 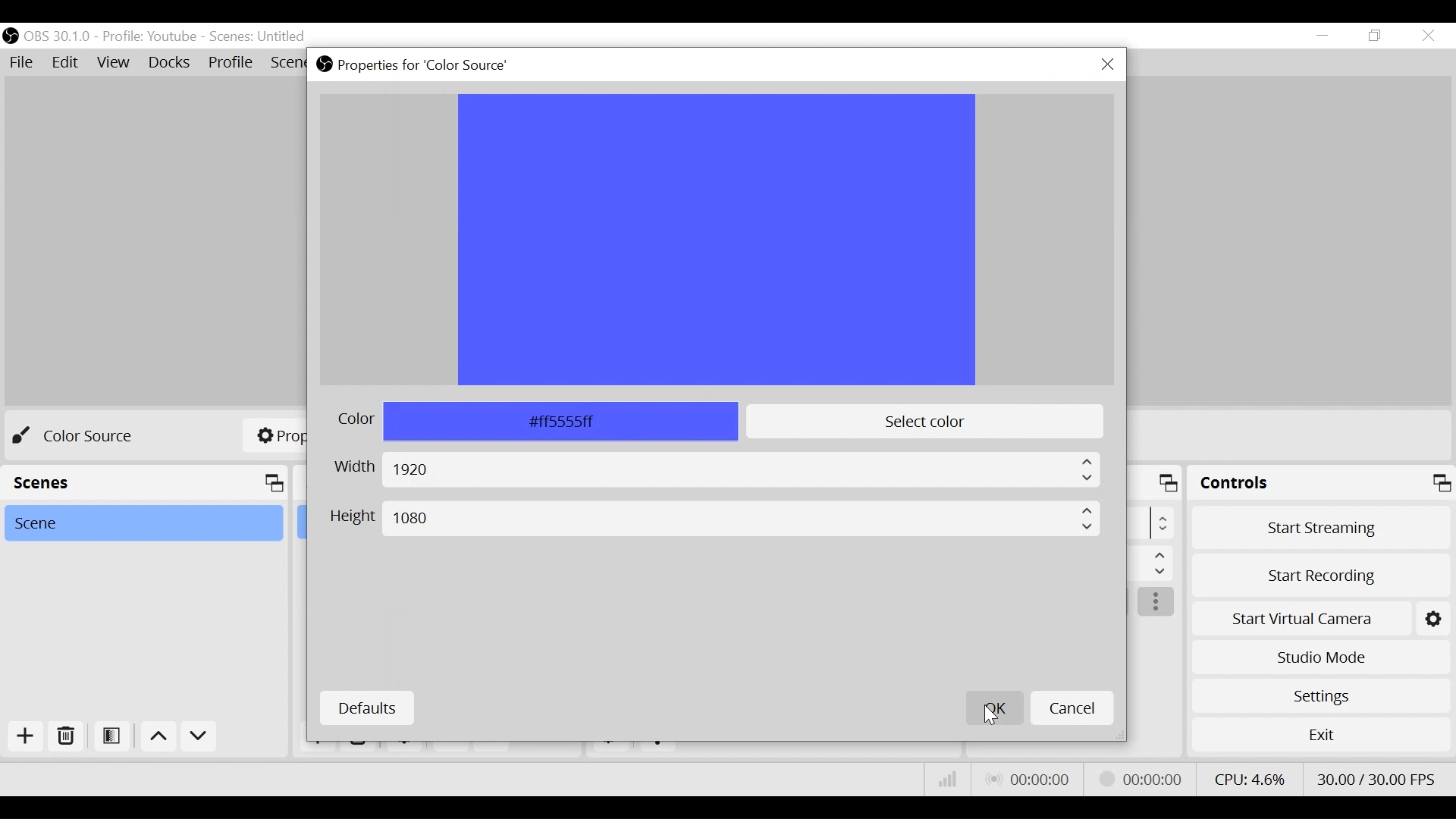 What do you see at coordinates (1250, 779) in the screenshot?
I see `CPU Usage` at bounding box center [1250, 779].